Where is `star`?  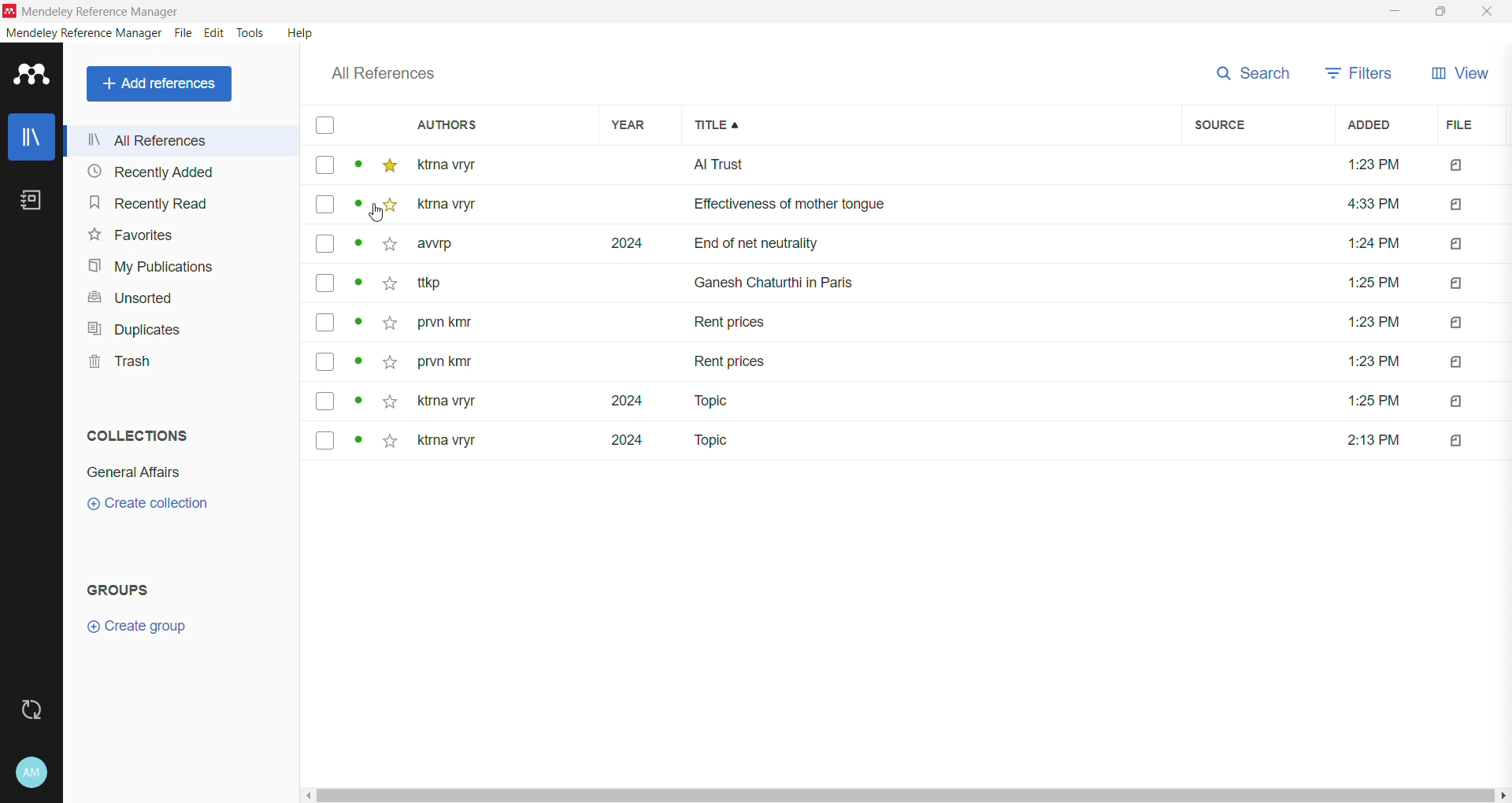 star is located at coordinates (389, 443).